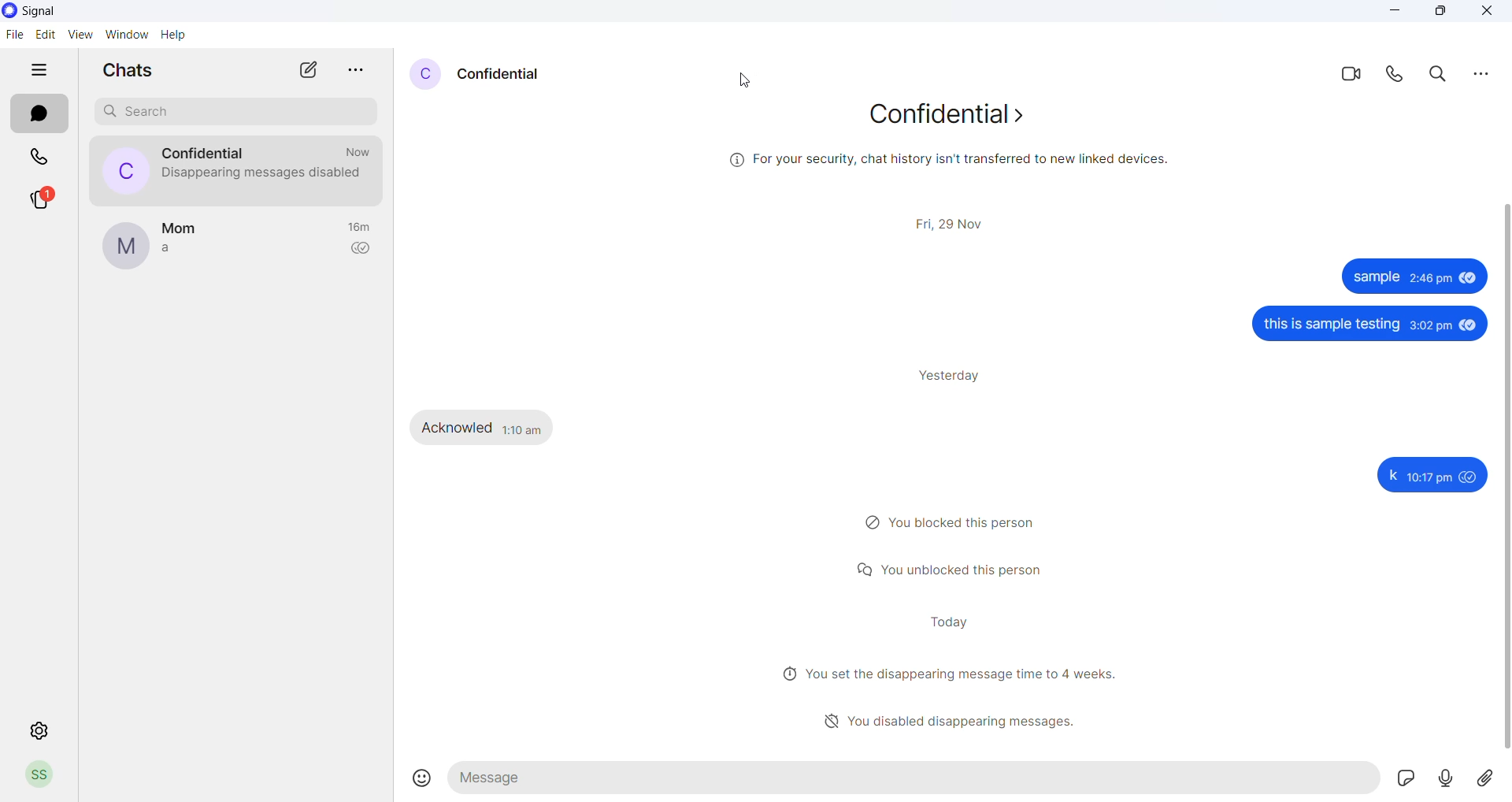 The width and height of the screenshot is (1512, 802). Describe the element at coordinates (362, 228) in the screenshot. I see `last message timeframe` at that location.